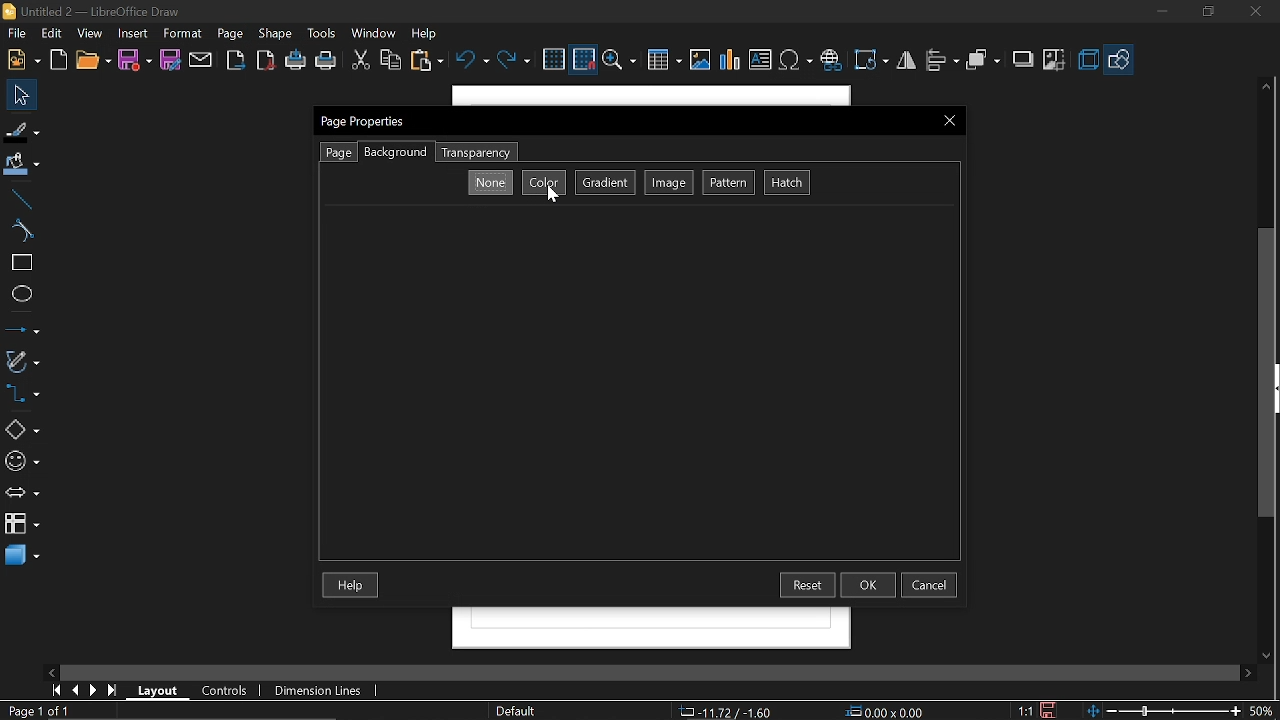 The width and height of the screenshot is (1280, 720). Describe the element at coordinates (19, 200) in the screenshot. I see `Line` at that location.